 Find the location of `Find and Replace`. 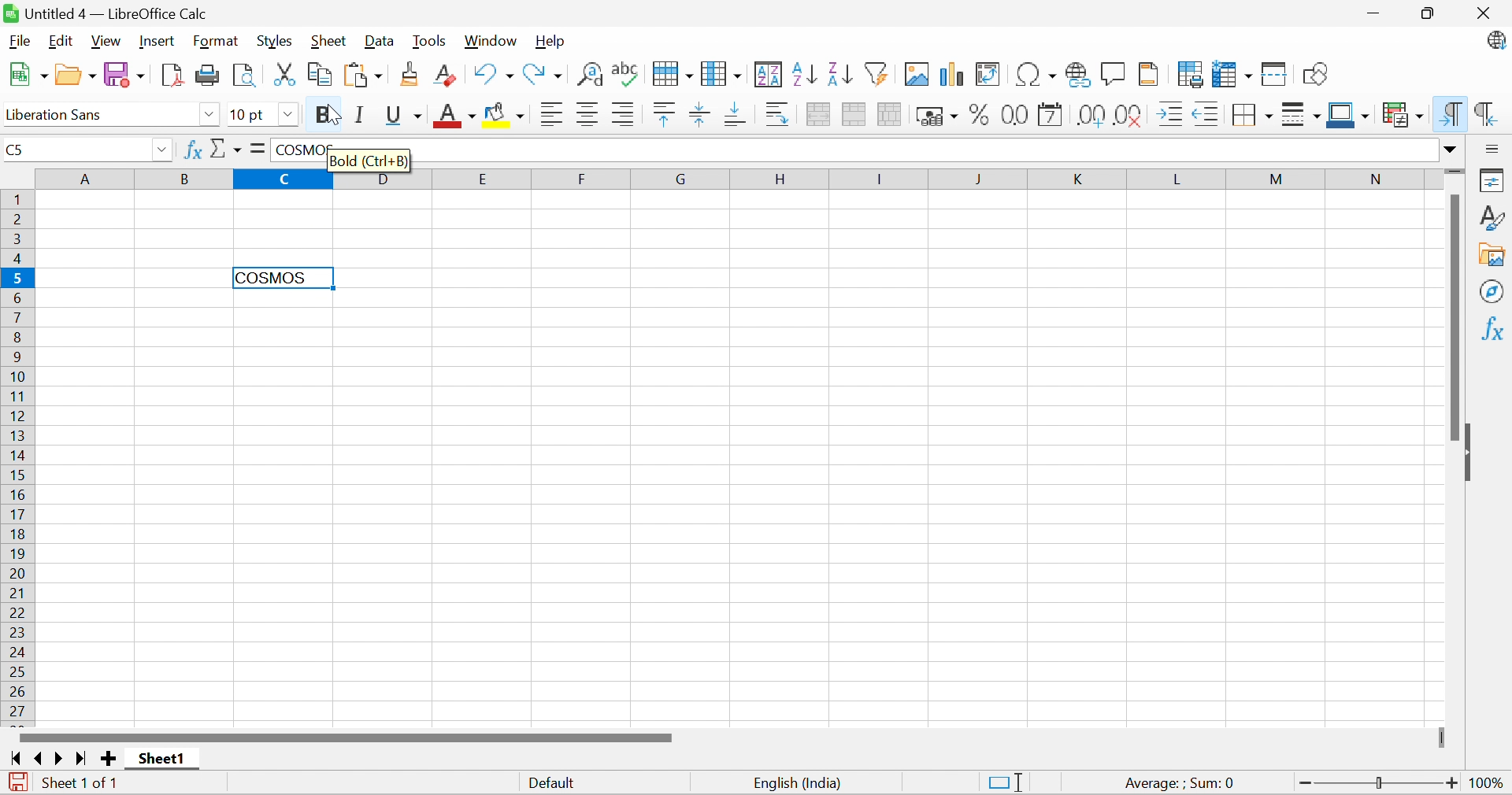

Find and Replace is located at coordinates (589, 75).